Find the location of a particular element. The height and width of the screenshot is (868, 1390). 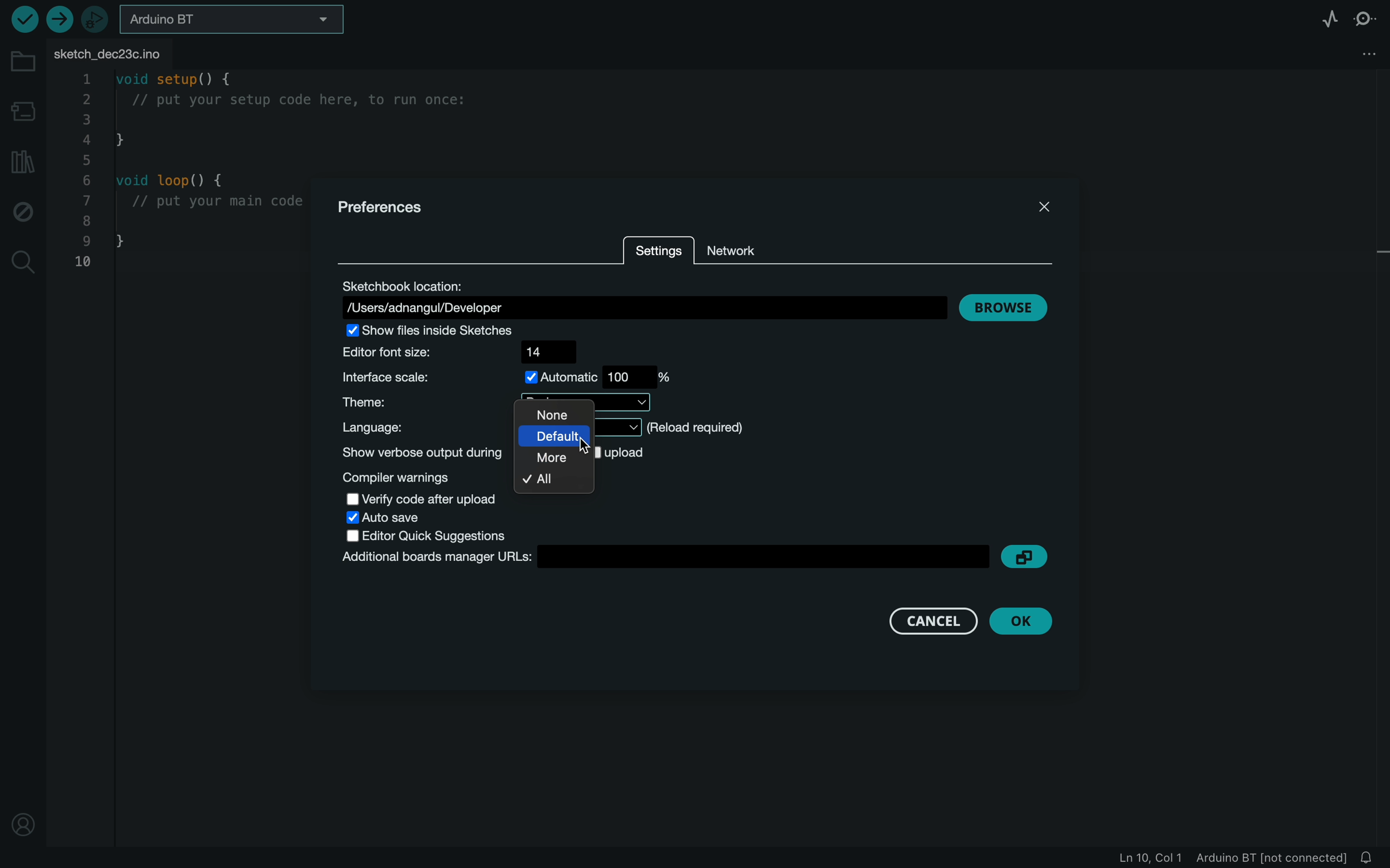

quick suggestion  is located at coordinates (420, 536).